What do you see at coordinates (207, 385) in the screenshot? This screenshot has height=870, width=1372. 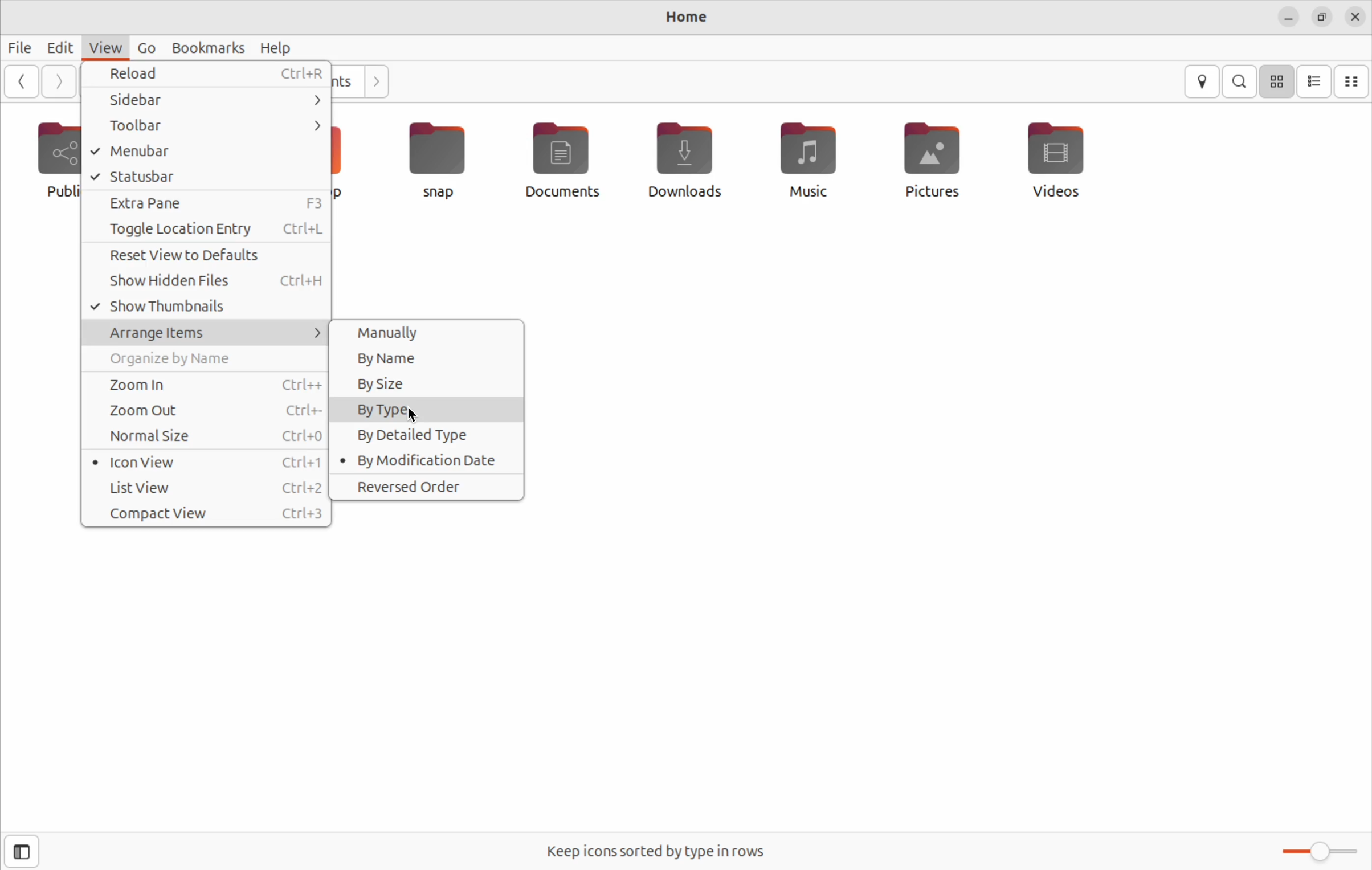 I see `zoom in` at bounding box center [207, 385].